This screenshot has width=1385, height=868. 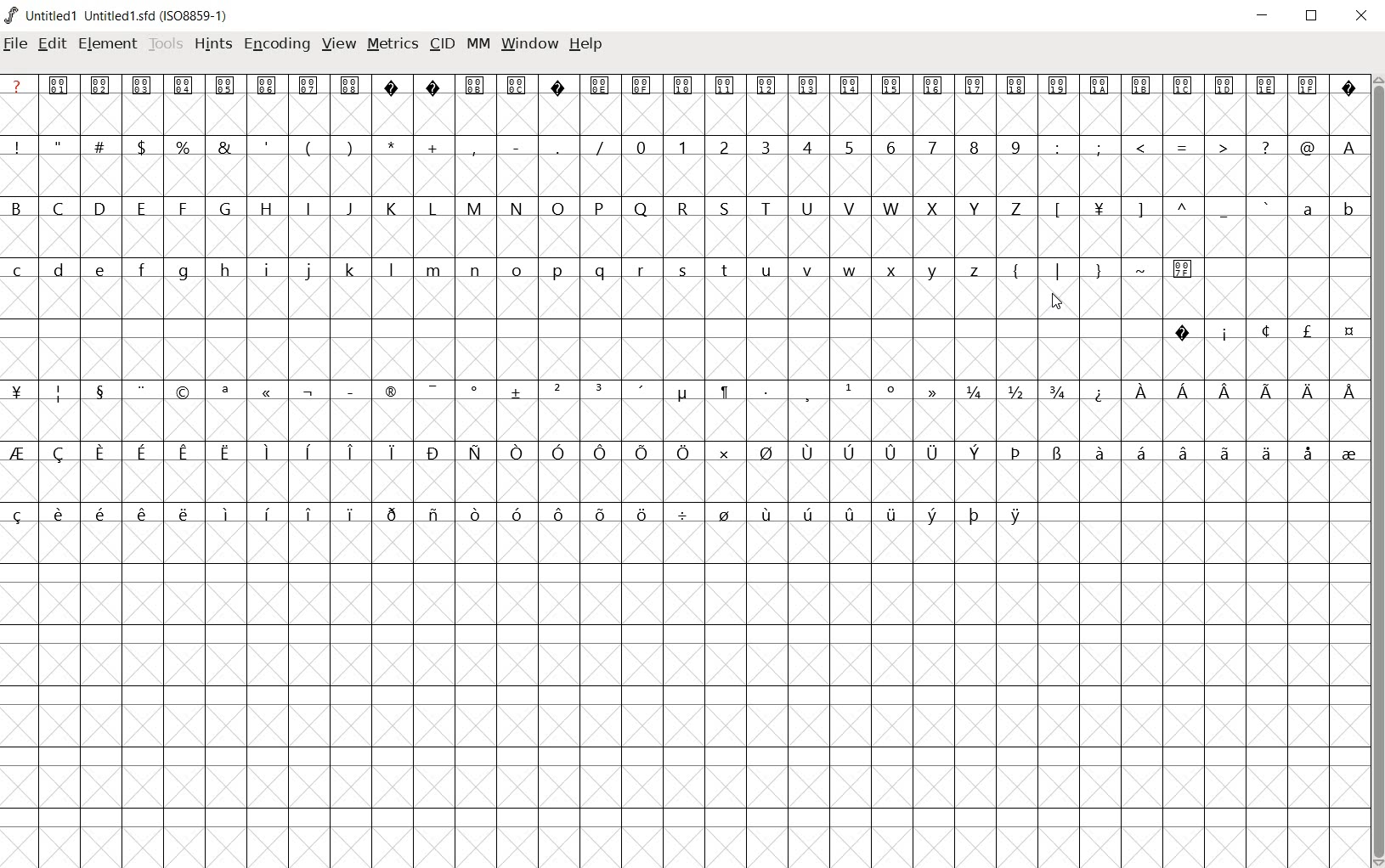 I want to click on restore down, so click(x=1313, y=16).